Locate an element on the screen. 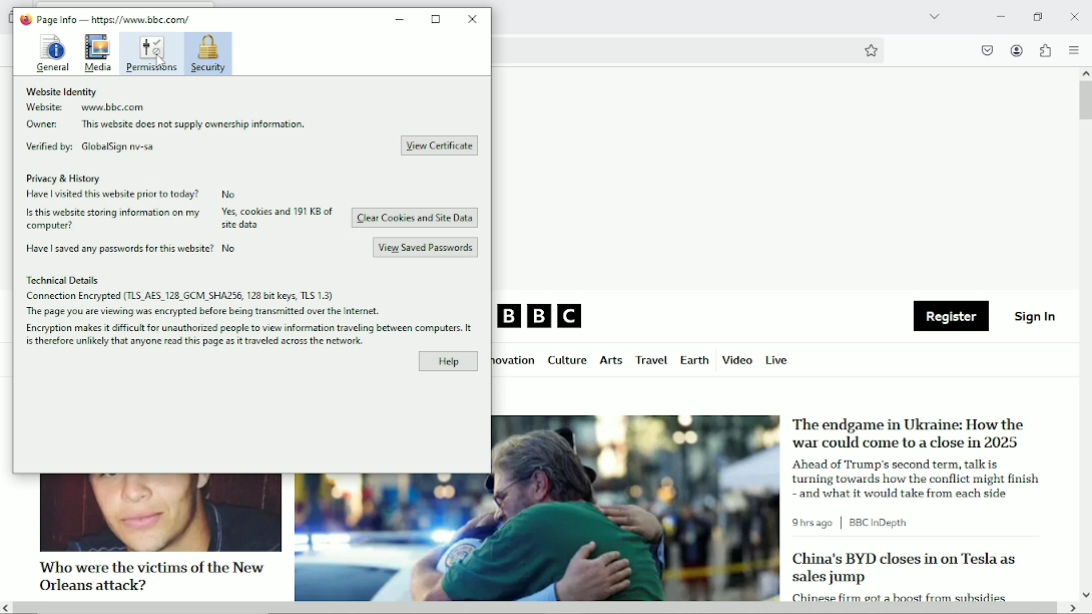 This screenshot has height=614, width=1092. open application menu is located at coordinates (1073, 50).